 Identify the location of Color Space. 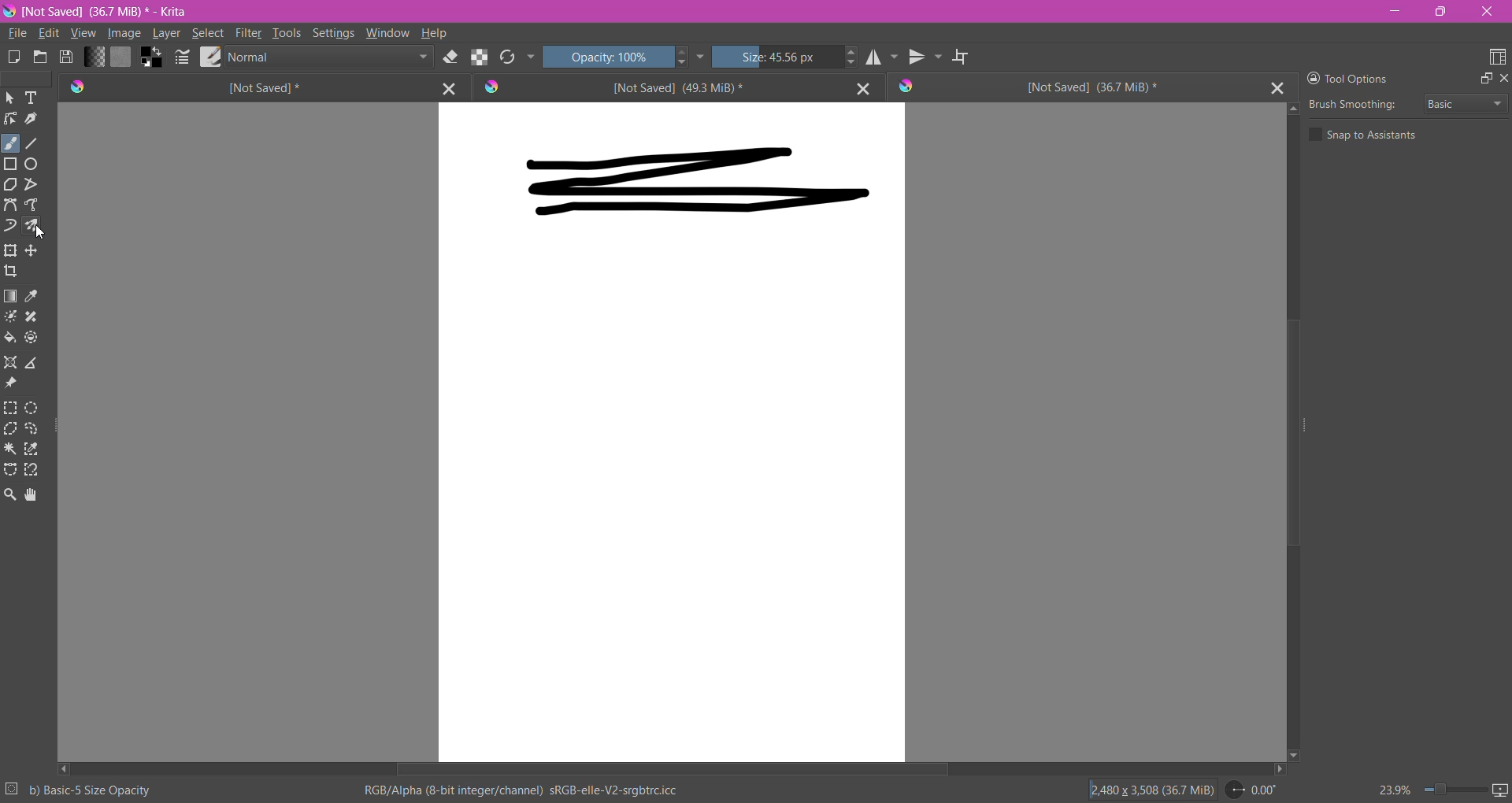
(521, 790).